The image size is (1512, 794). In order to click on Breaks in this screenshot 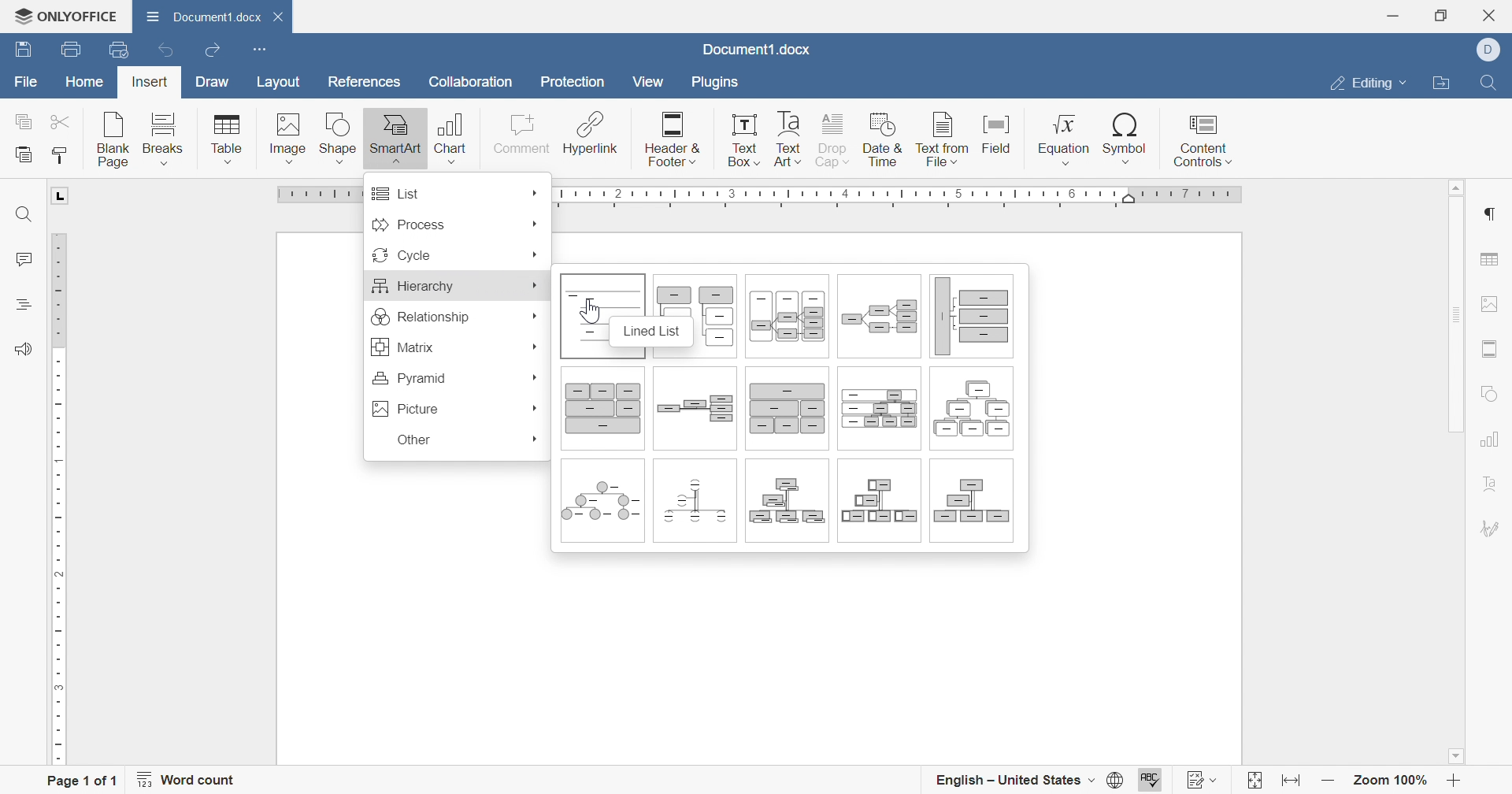, I will do `click(166, 137)`.